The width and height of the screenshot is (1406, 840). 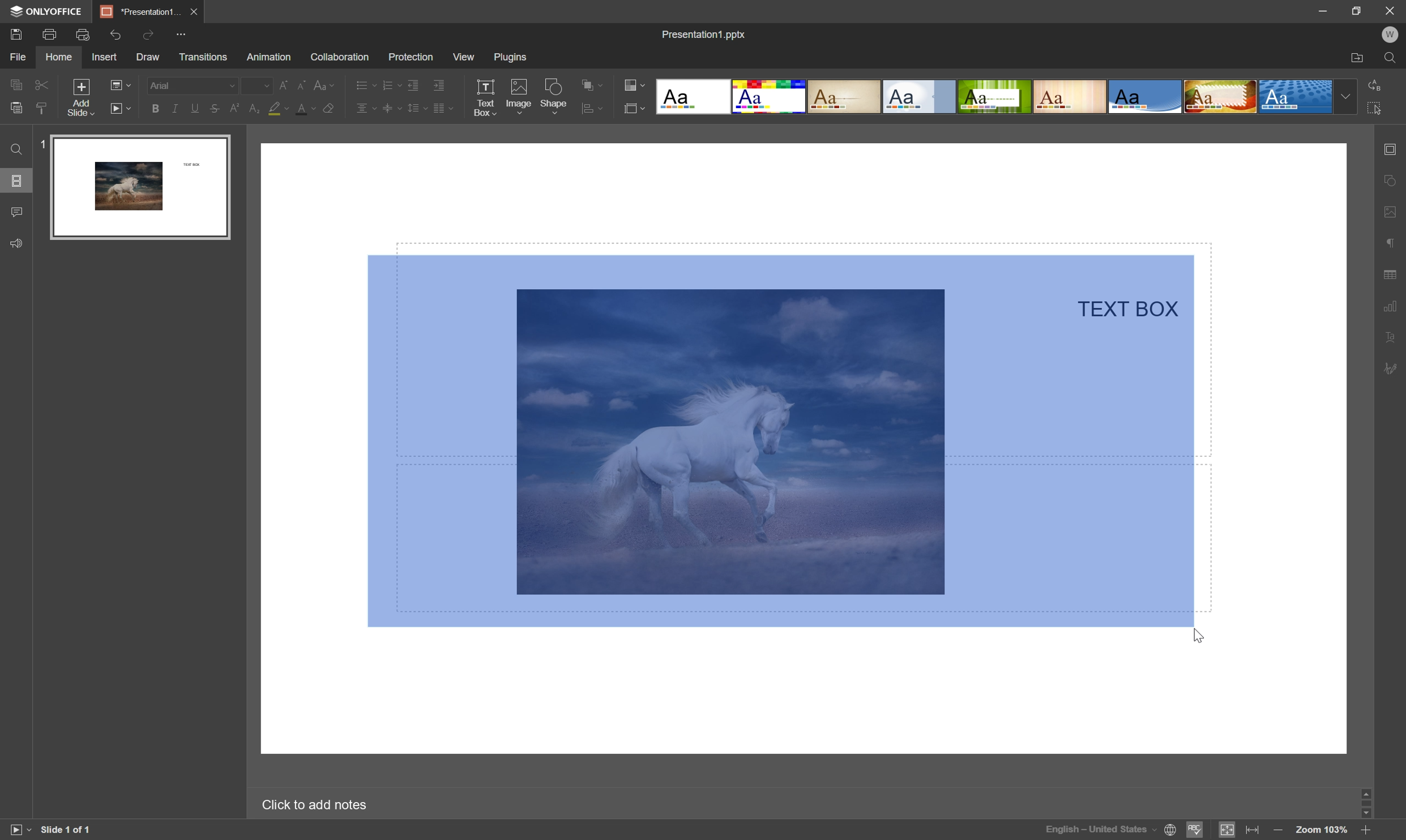 I want to click on protection, so click(x=409, y=57).